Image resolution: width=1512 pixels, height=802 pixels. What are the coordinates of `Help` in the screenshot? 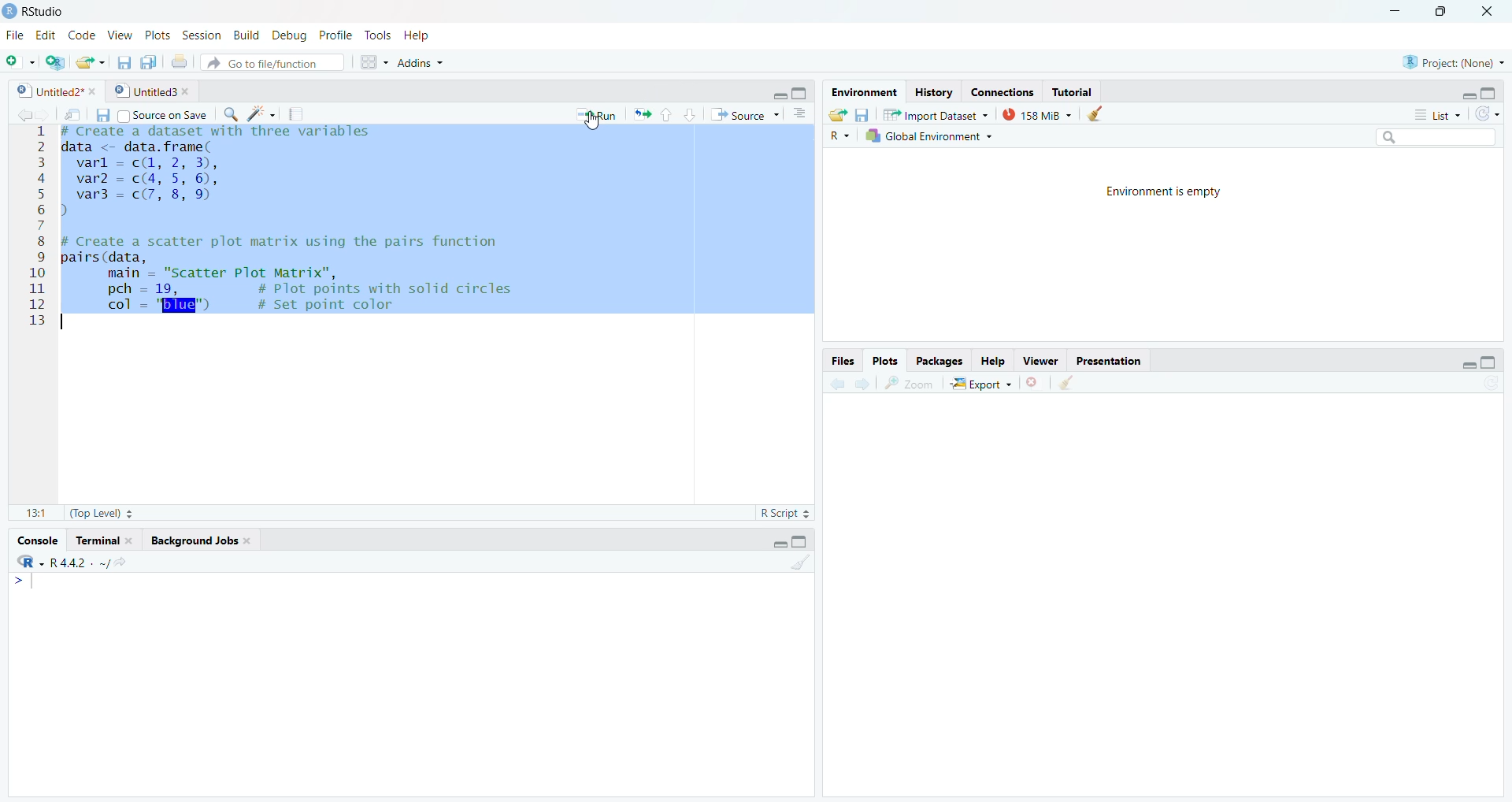 It's located at (995, 362).